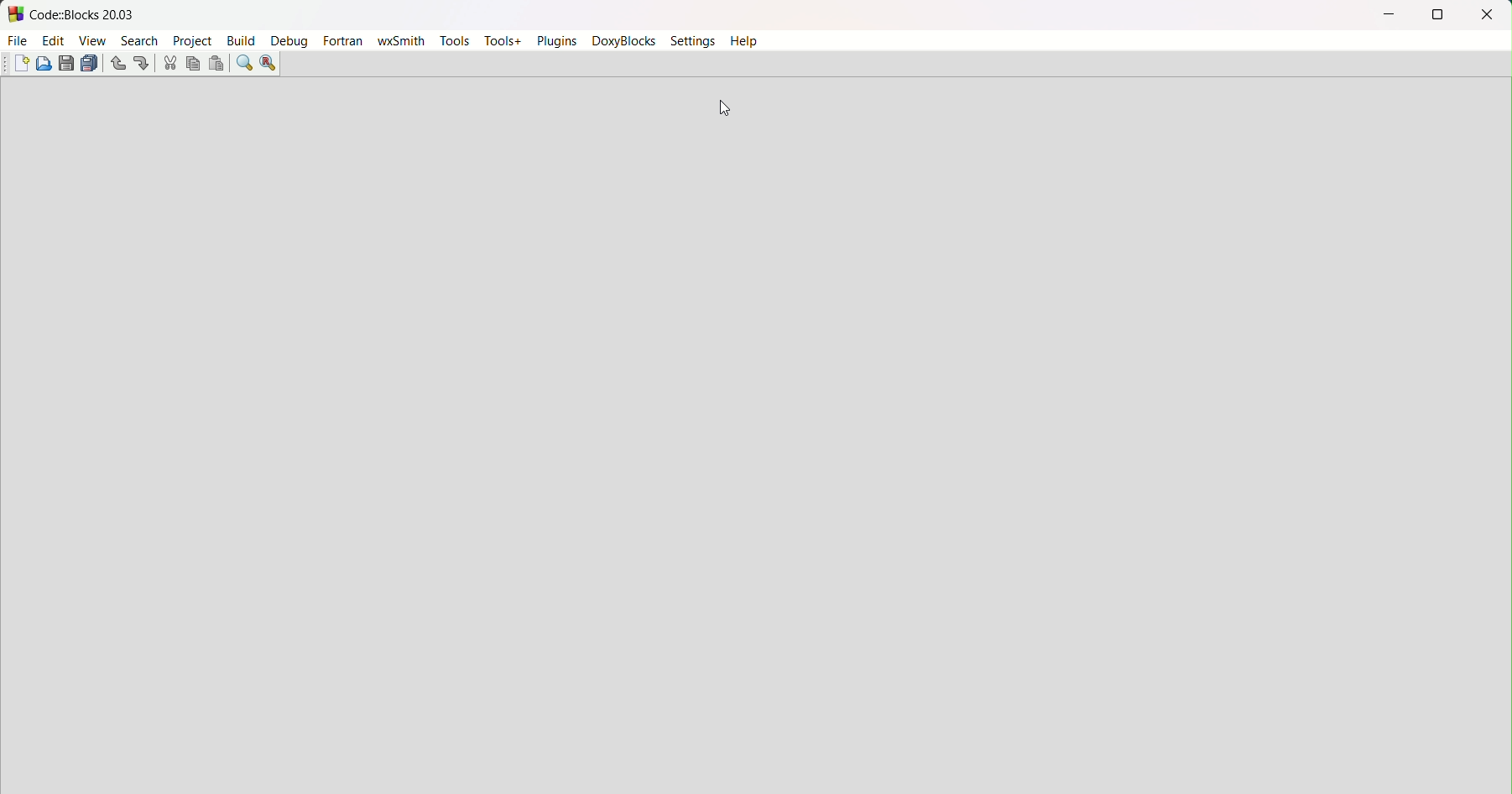  I want to click on open, so click(45, 64).